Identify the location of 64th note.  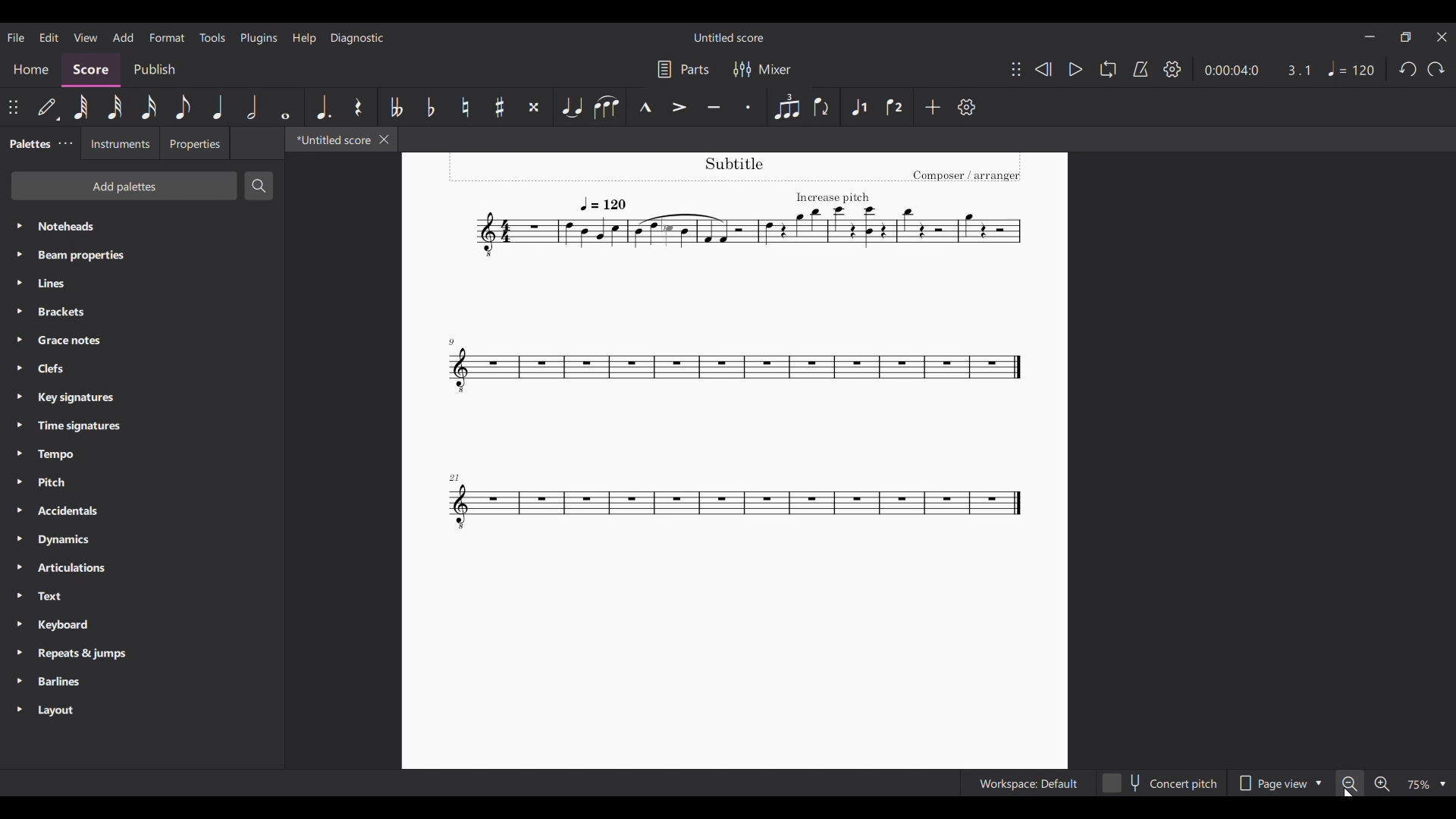
(81, 107).